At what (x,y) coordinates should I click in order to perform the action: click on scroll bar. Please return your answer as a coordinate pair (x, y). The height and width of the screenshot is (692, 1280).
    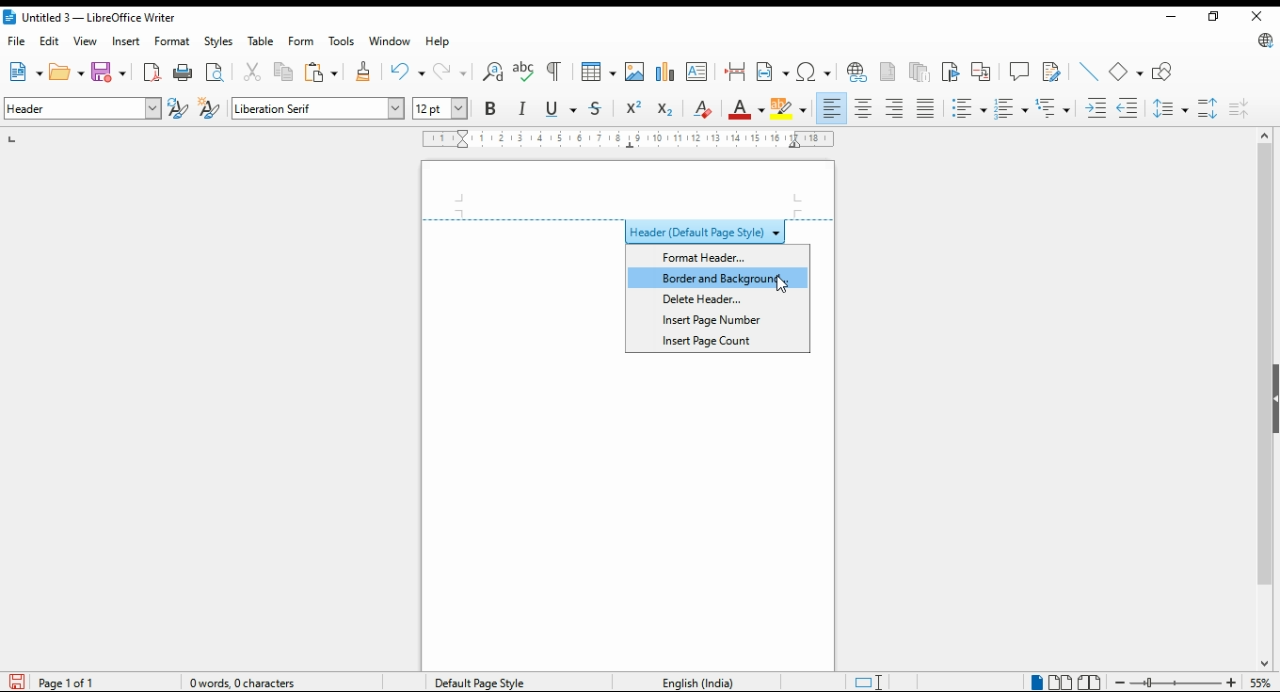
    Looking at the image, I should click on (1264, 399).